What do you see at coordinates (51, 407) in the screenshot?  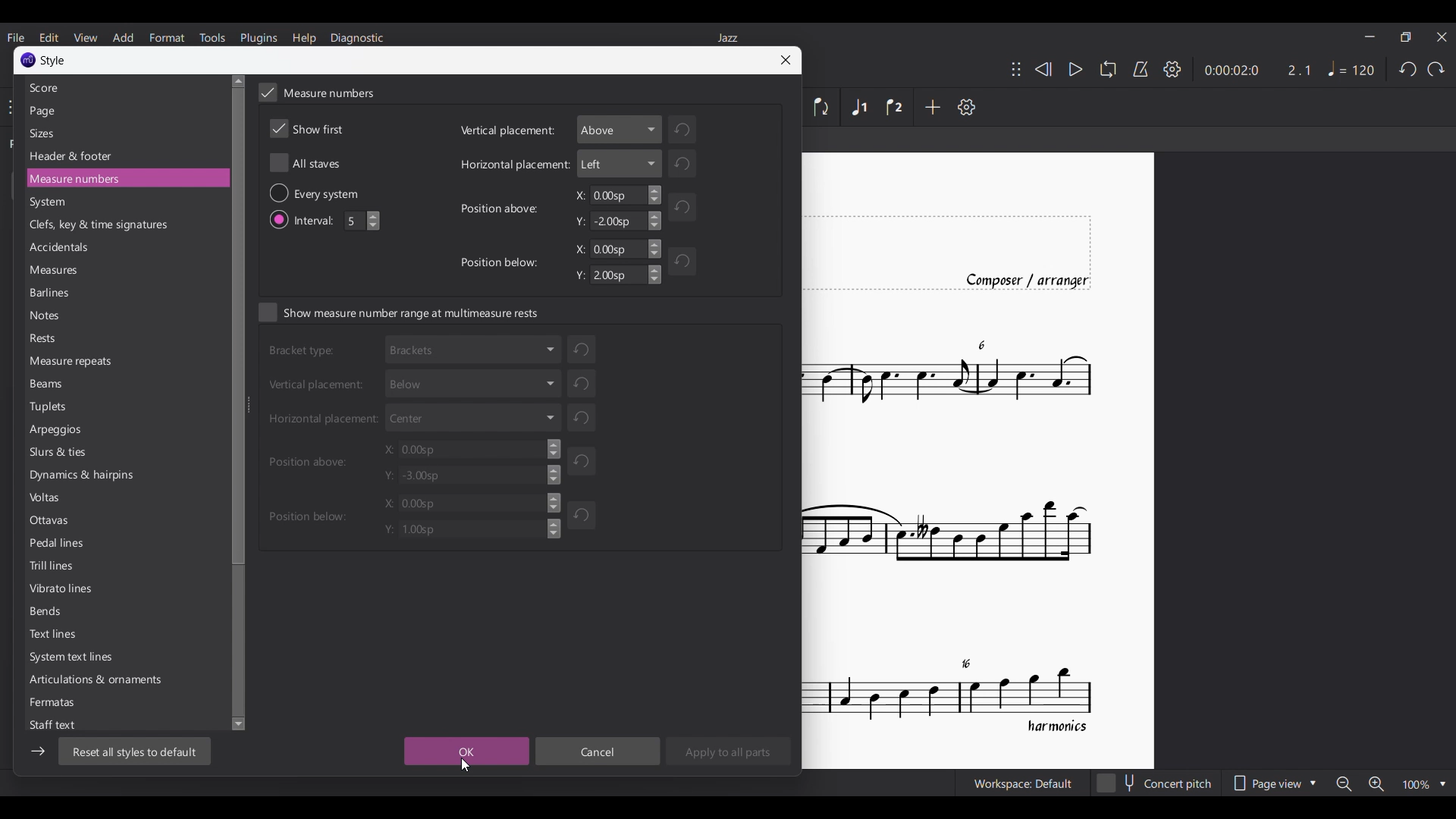 I see `Triplets` at bounding box center [51, 407].